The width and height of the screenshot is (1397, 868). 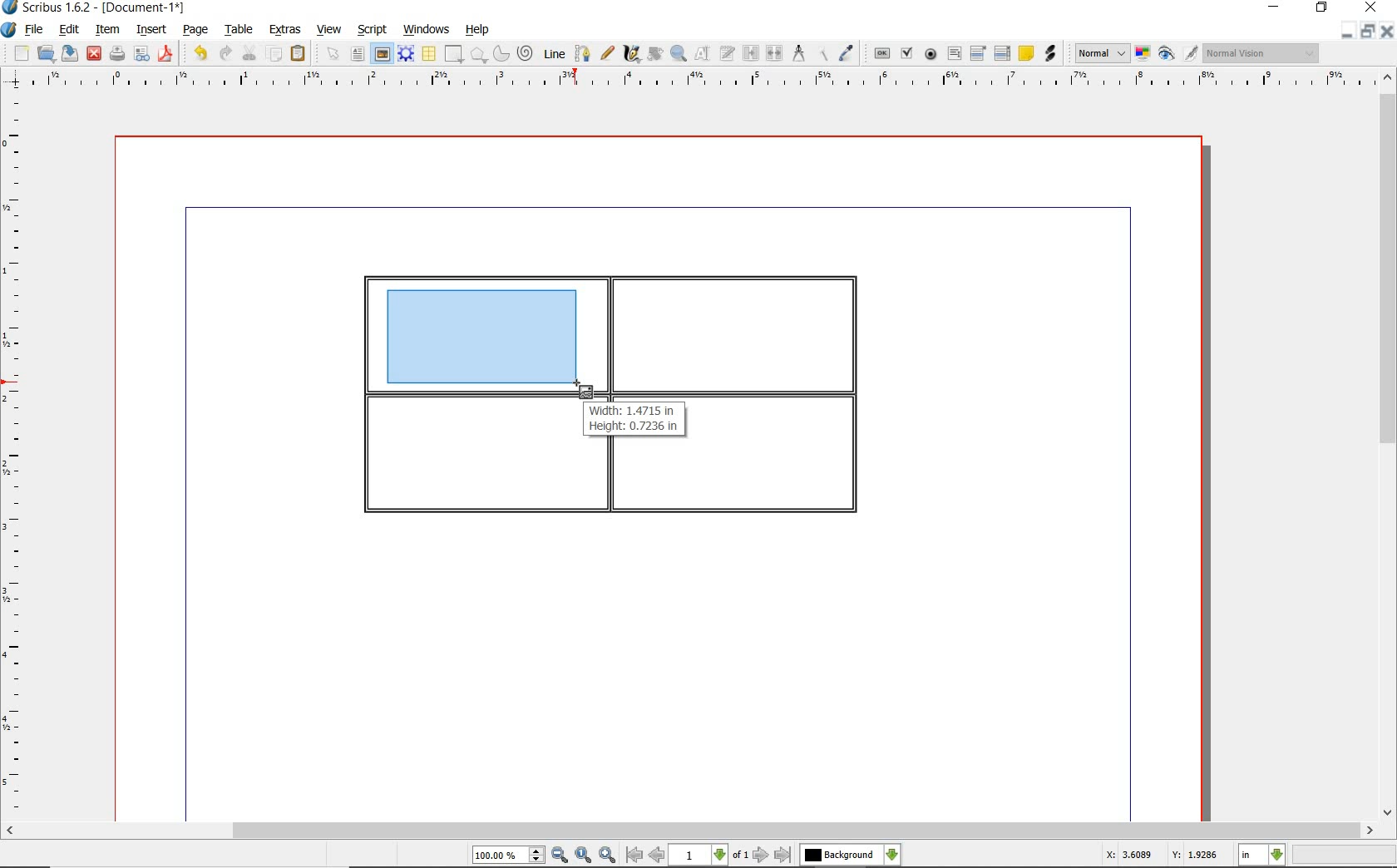 I want to click on edit in preview mode, so click(x=1190, y=54).